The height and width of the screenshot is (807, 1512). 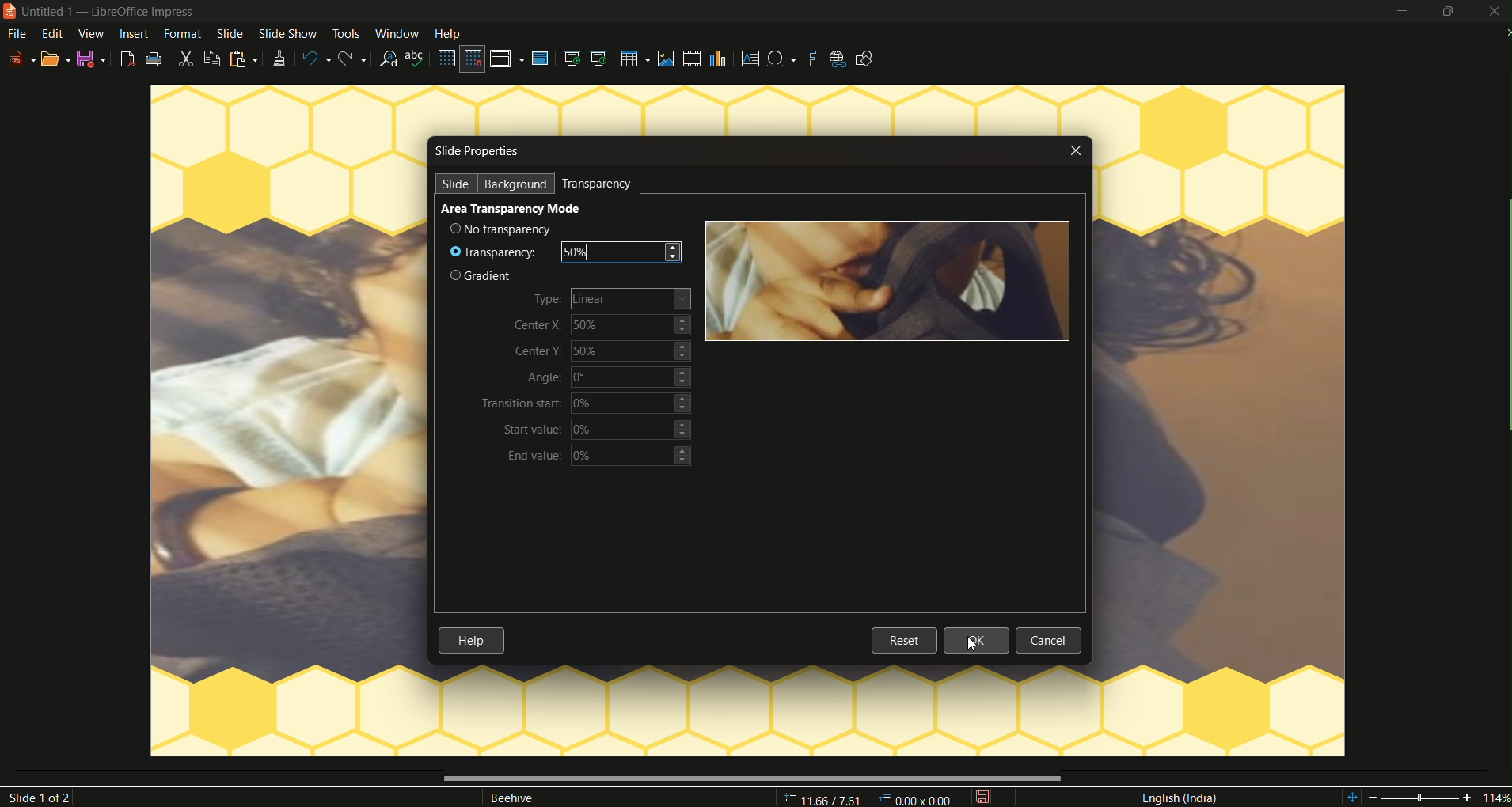 What do you see at coordinates (180, 33) in the screenshot?
I see `format` at bounding box center [180, 33].